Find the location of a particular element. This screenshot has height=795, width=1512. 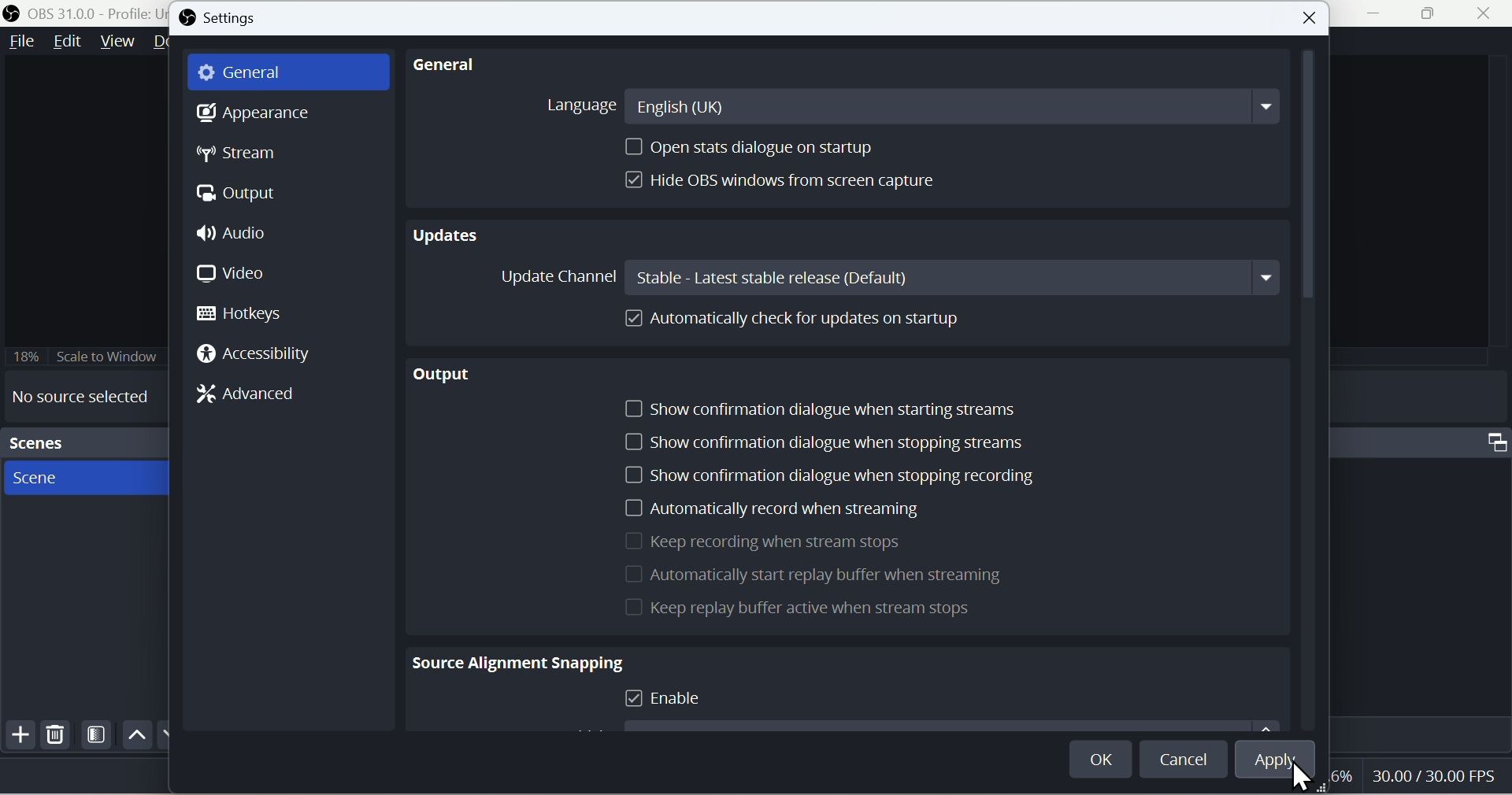

General is located at coordinates (277, 72).